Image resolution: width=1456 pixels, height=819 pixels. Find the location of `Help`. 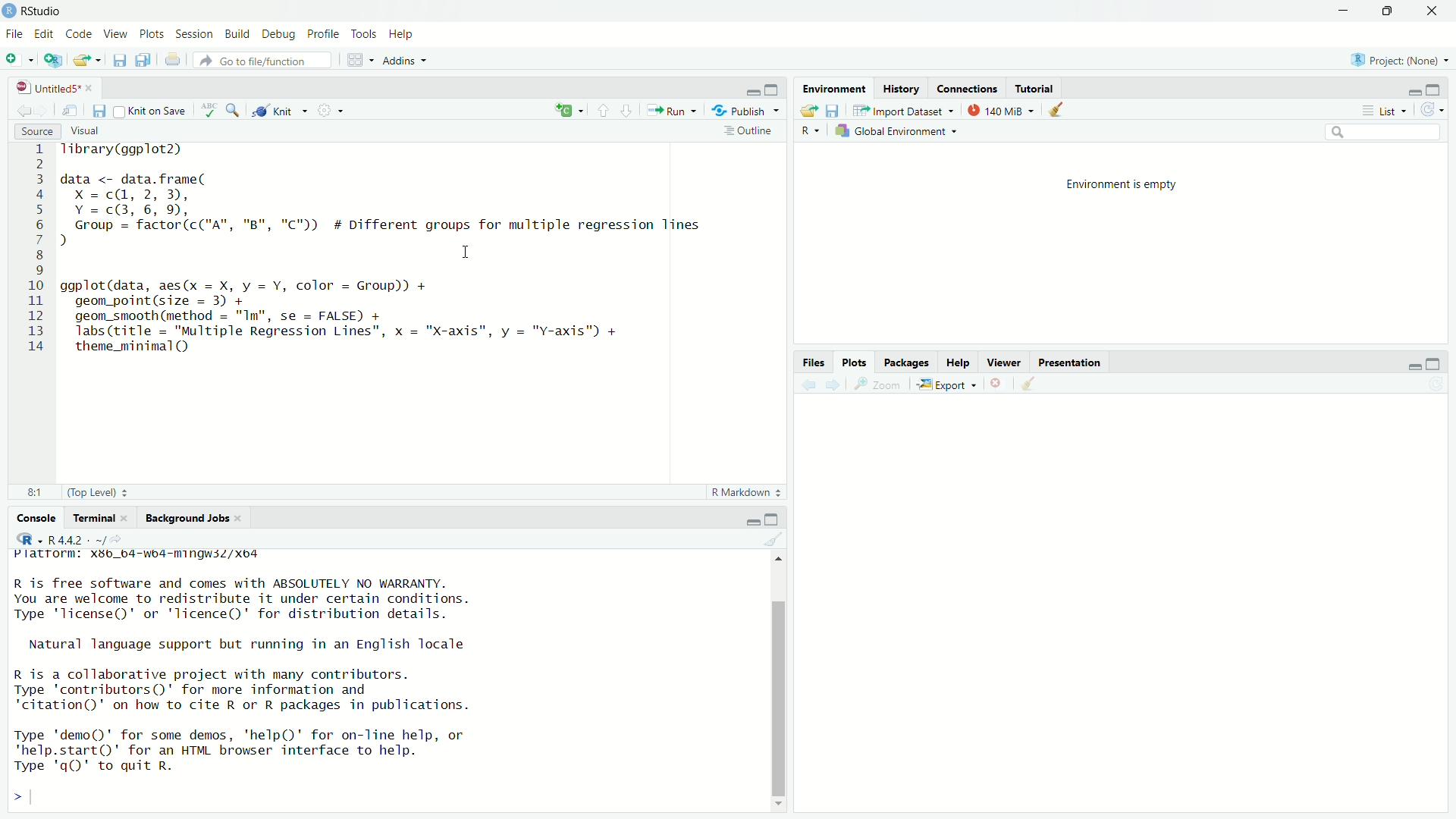

Help is located at coordinates (959, 363).